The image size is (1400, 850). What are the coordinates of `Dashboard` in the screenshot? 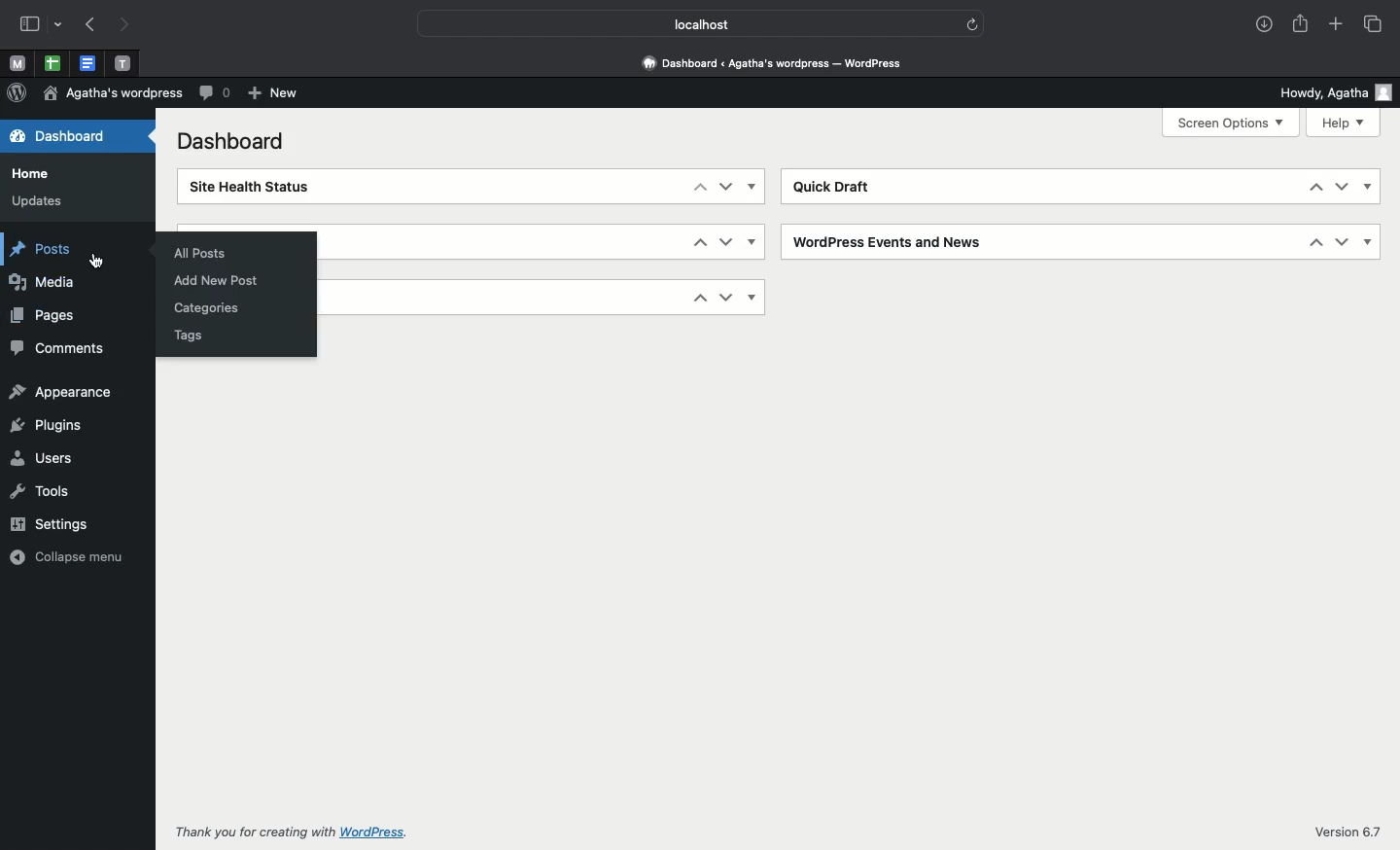 It's located at (227, 143).